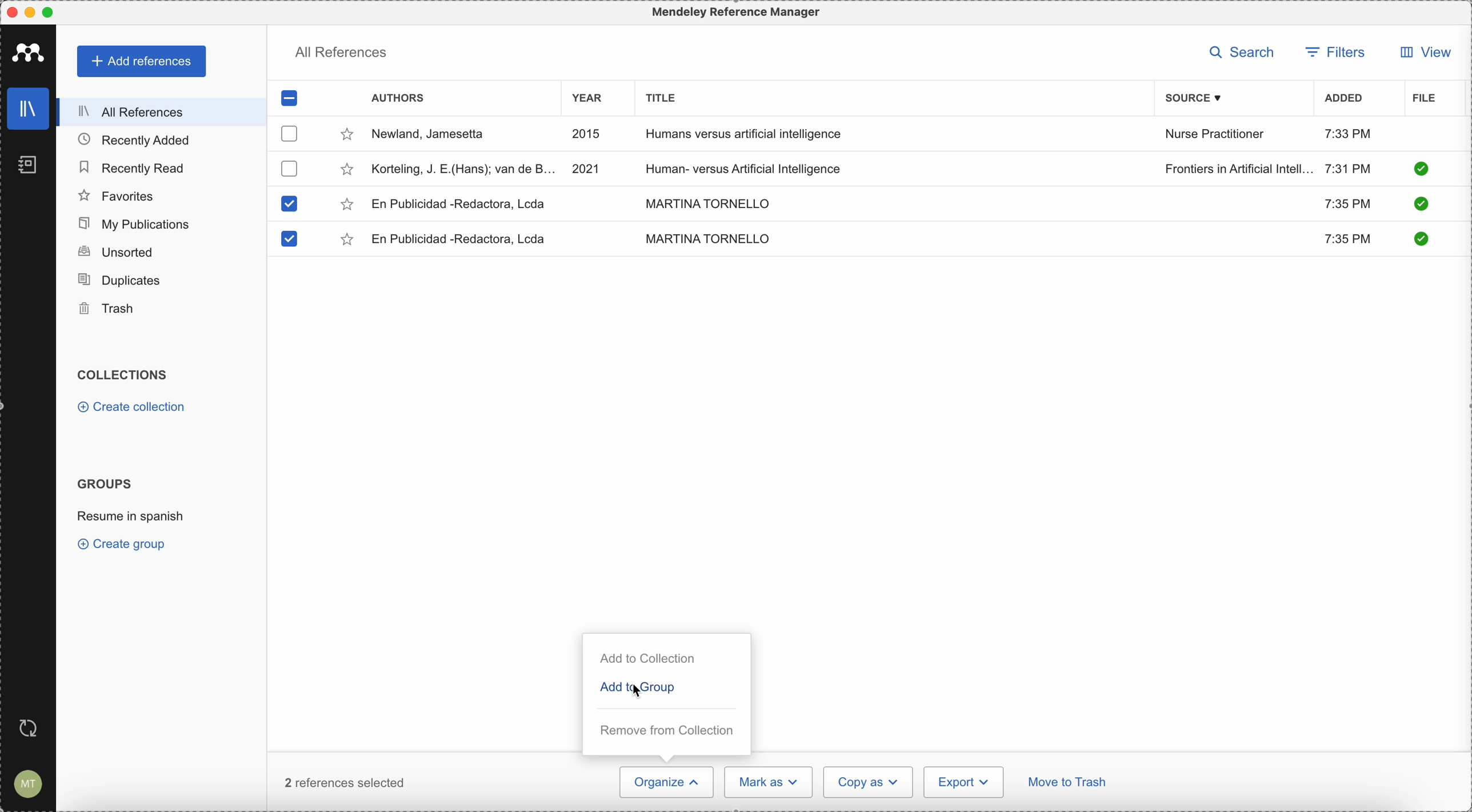  I want to click on recently read, so click(131, 166).